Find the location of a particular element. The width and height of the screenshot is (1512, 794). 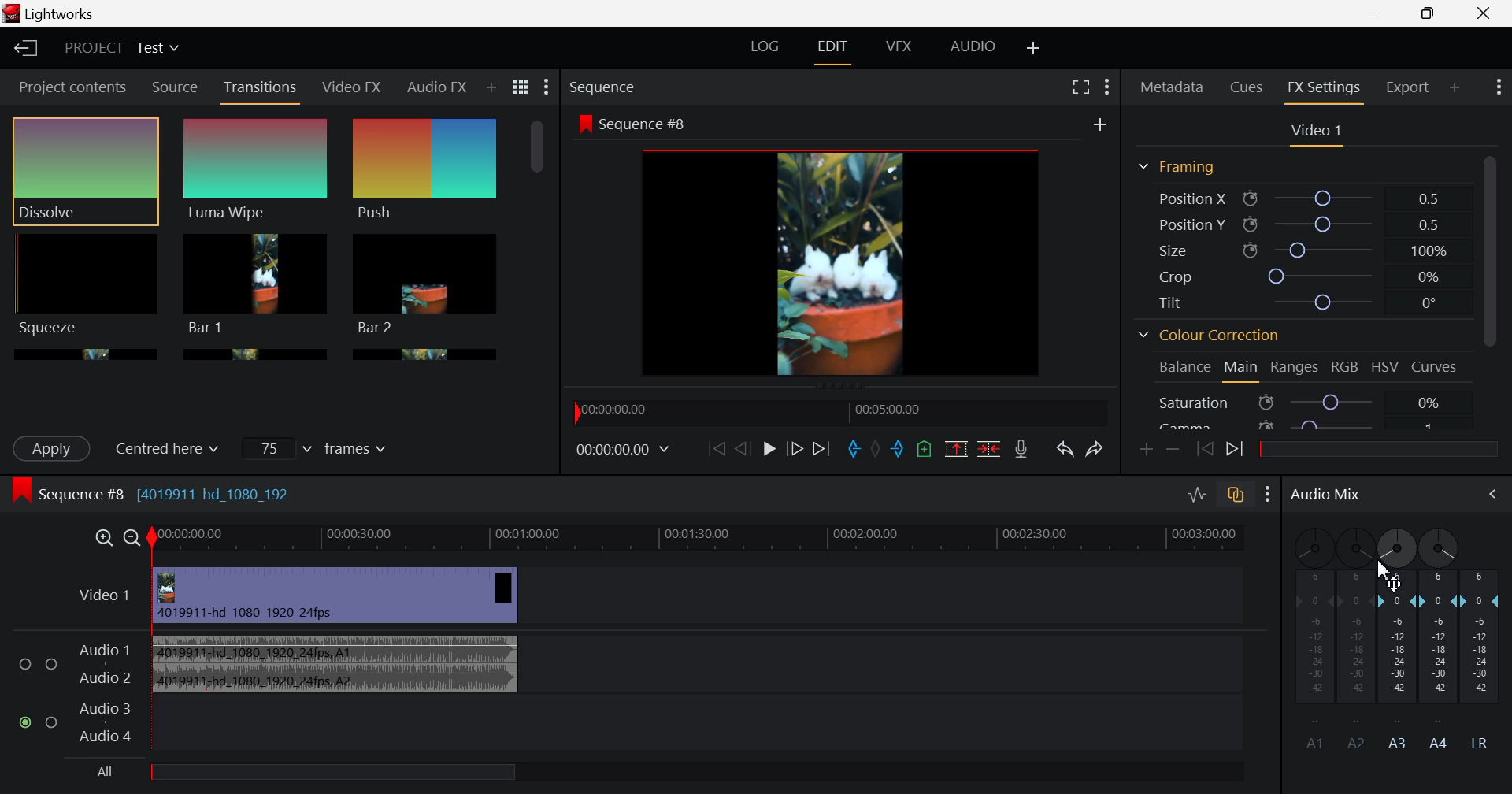

Lightworks is located at coordinates (76, 13).